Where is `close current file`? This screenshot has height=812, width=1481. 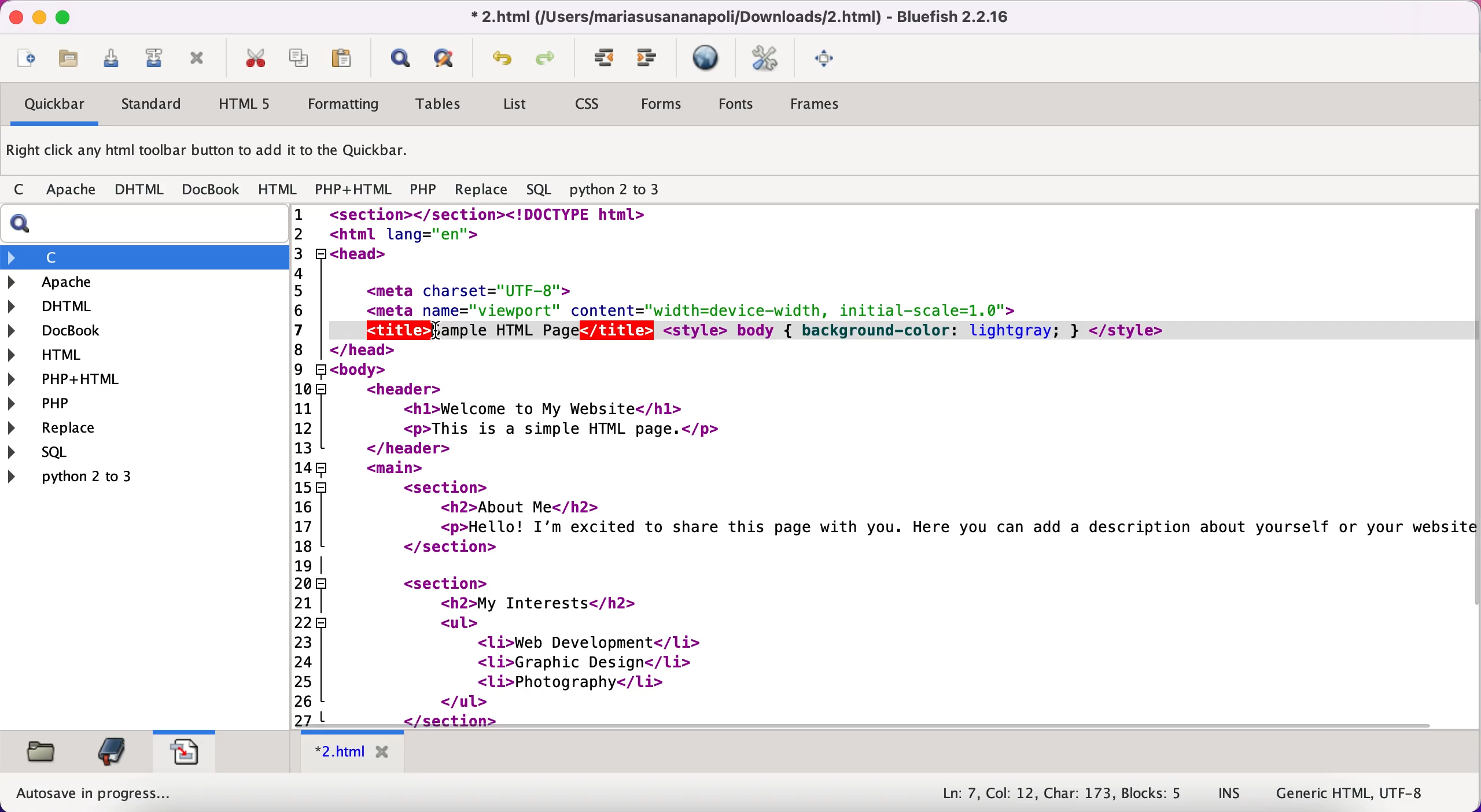
close current file is located at coordinates (197, 60).